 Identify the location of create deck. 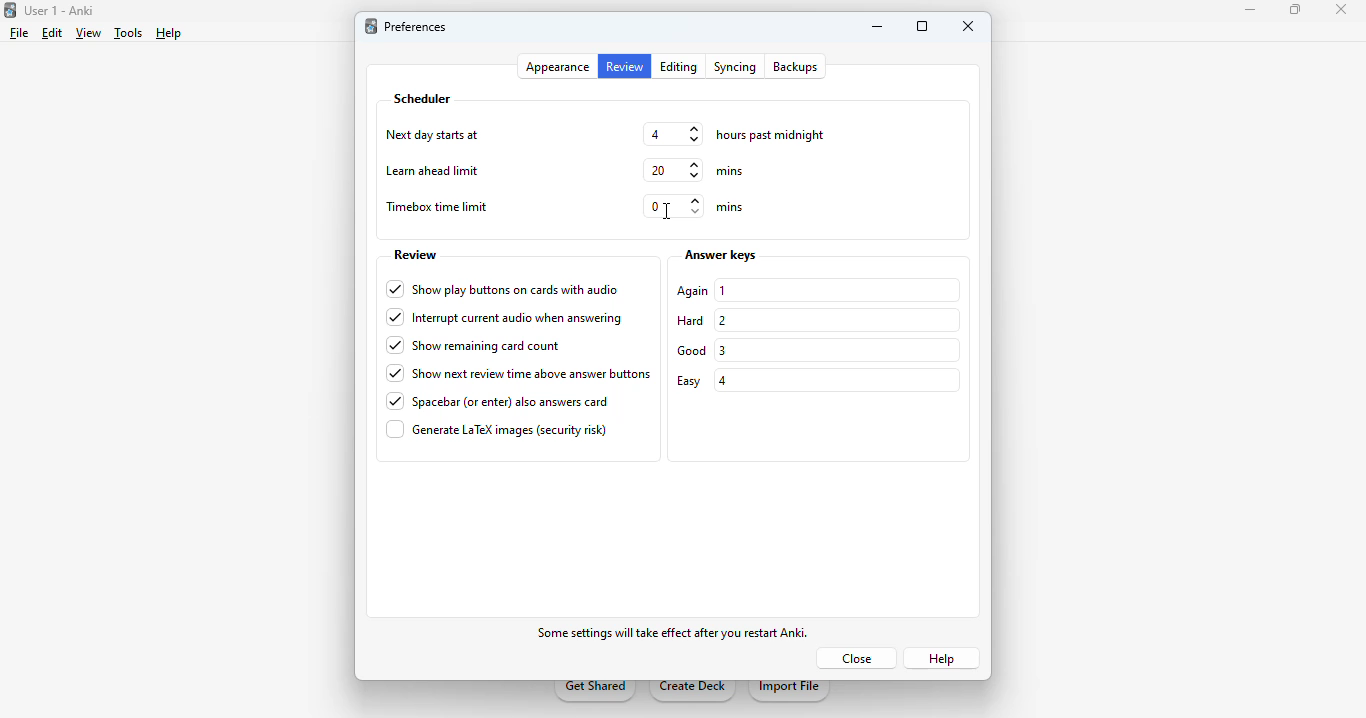
(693, 691).